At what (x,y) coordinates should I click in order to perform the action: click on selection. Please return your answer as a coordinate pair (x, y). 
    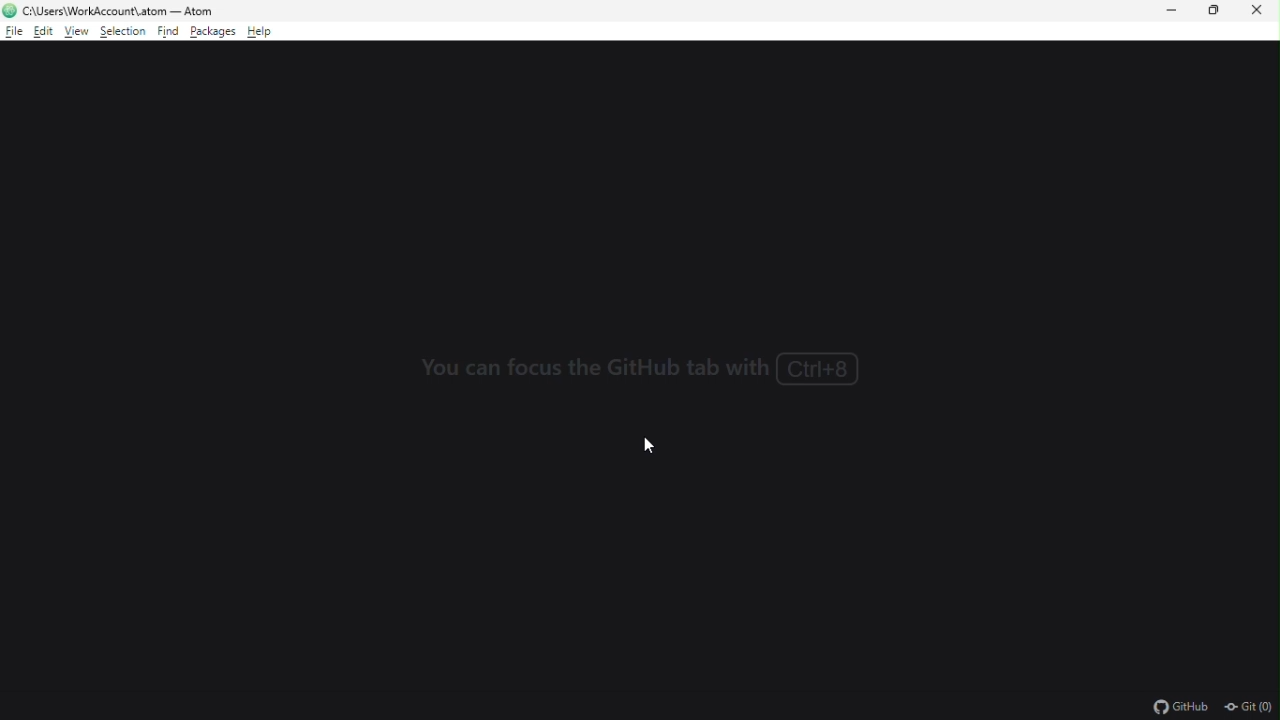
    Looking at the image, I should click on (124, 33).